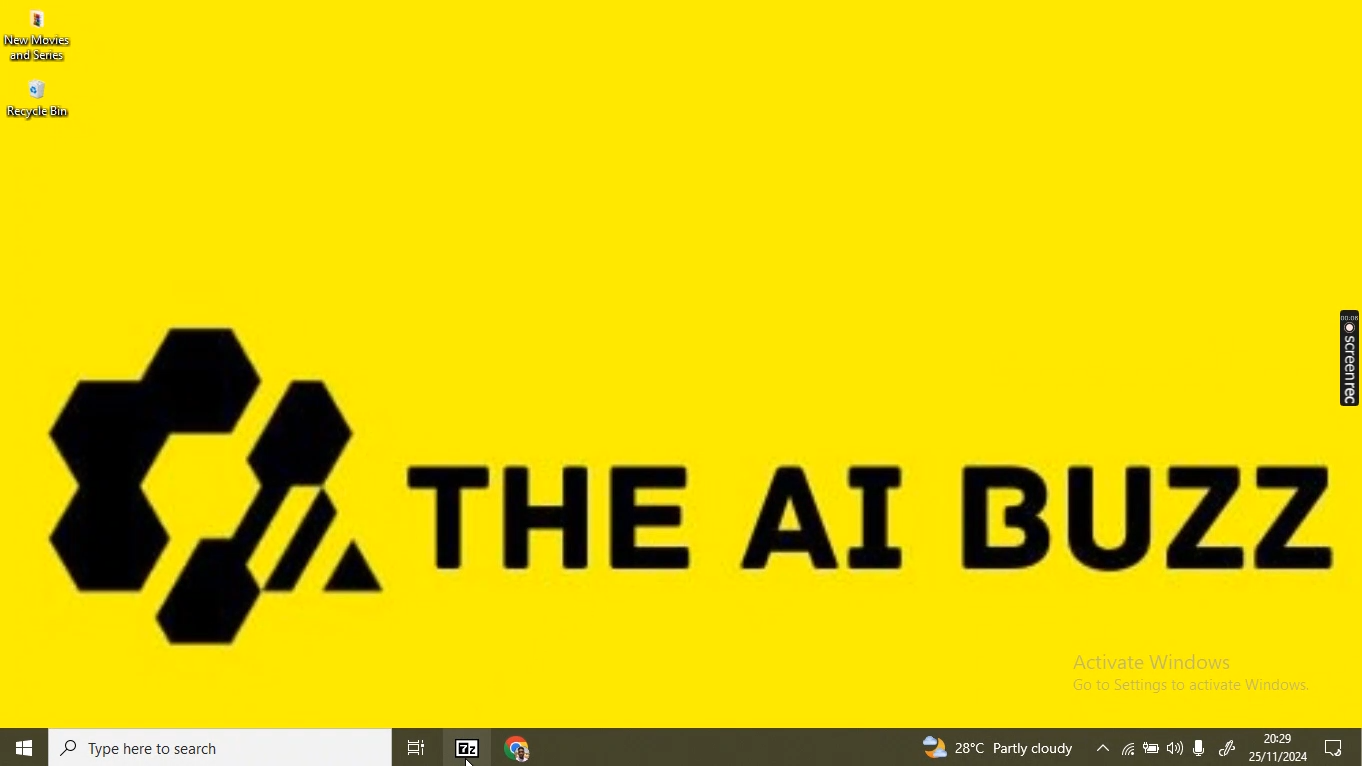 This screenshot has height=766, width=1362. Describe the element at coordinates (465, 748) in the screenshot. I see `7-Zip` at that location.